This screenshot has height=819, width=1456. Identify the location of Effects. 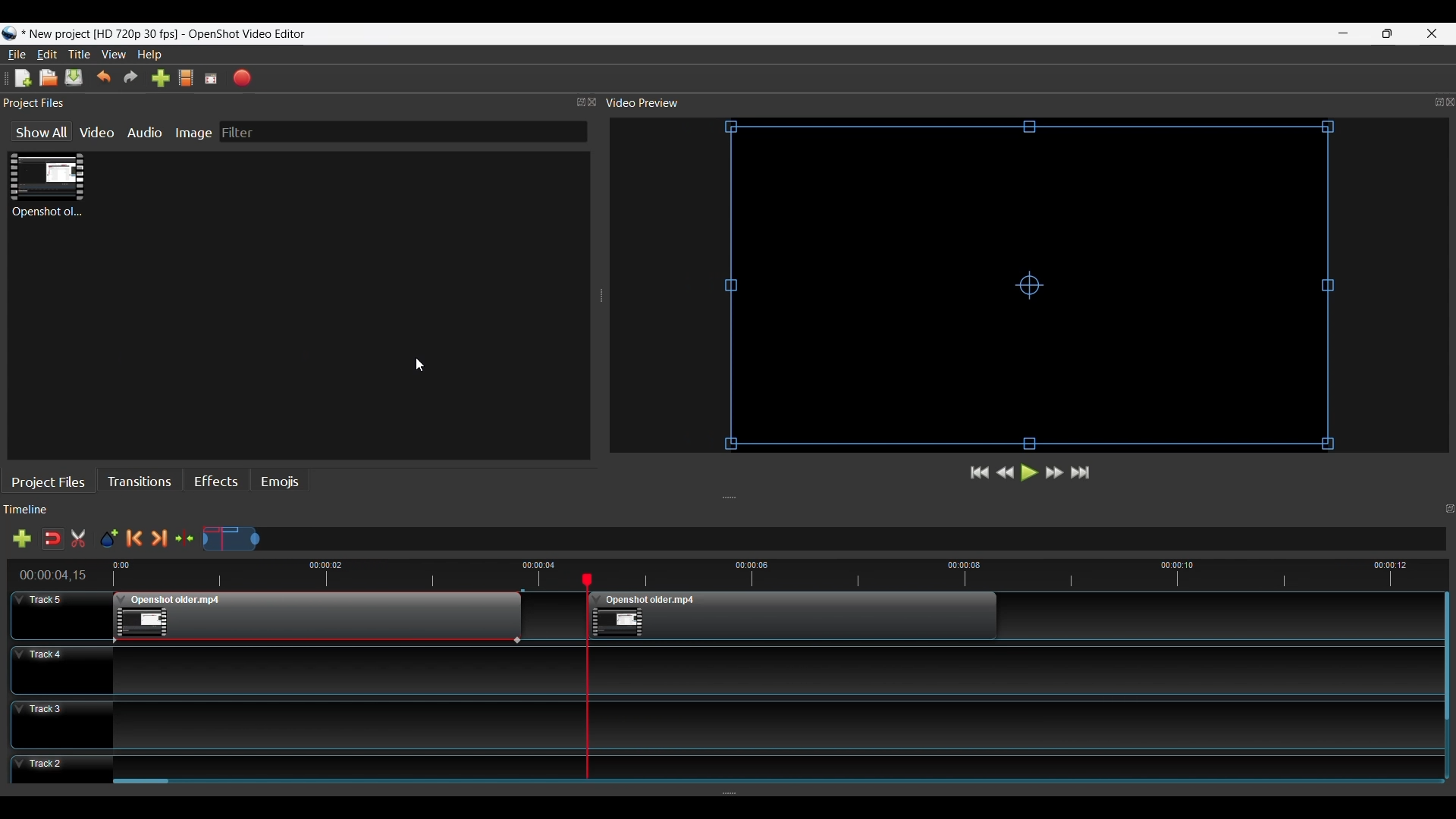
(216, 483).